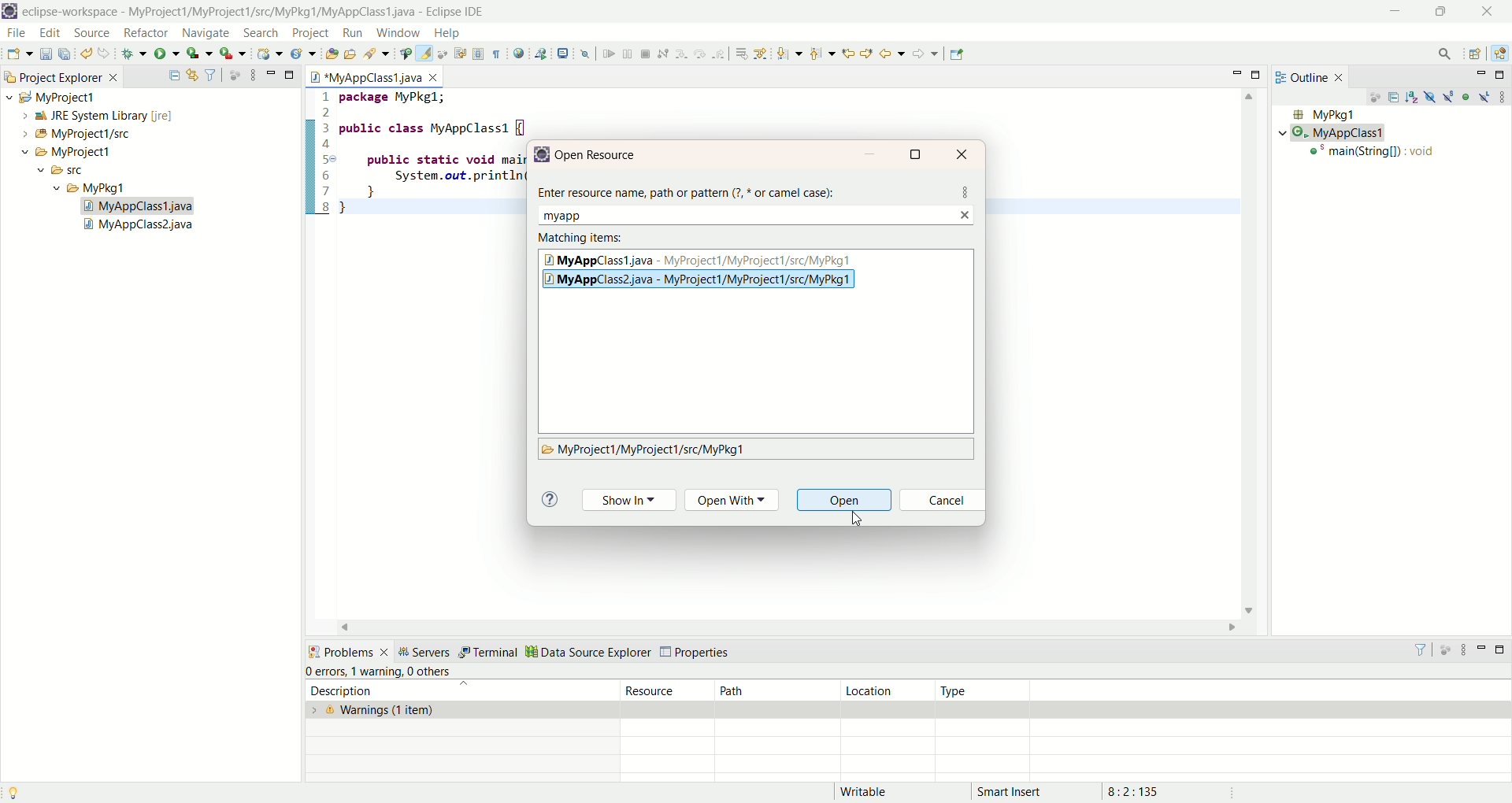 This screenshot has height=803, width=1512. Describe the element at coordinates (105, 54) in the screenshot. I see `redo` at that location.